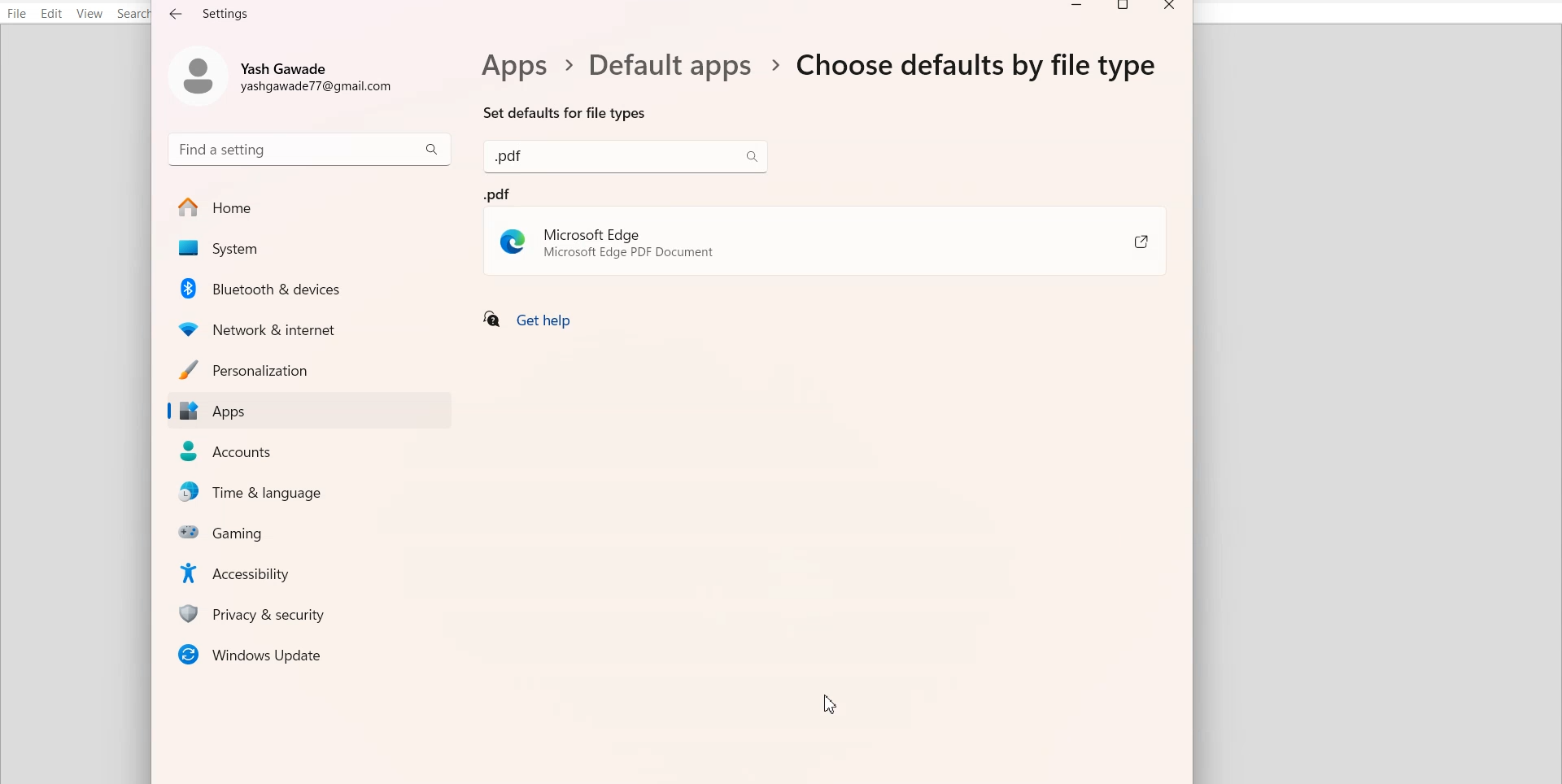  Describe the element at coordinates (314, 531) in the screenshot. I see `Gaming` at that location.